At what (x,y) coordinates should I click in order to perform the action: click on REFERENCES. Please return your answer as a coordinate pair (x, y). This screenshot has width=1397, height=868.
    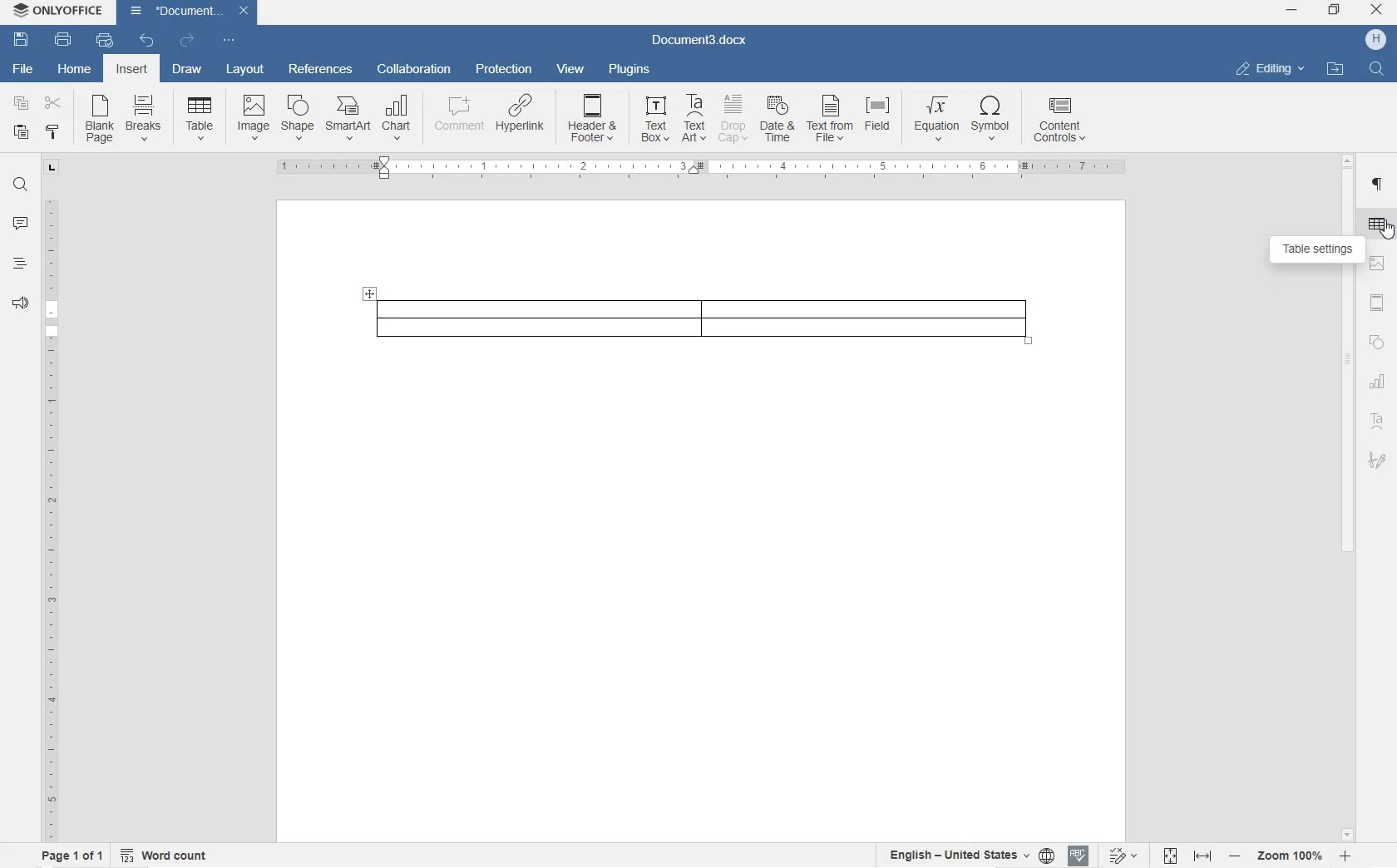
    Looking at the image, I should click on (320, 71).